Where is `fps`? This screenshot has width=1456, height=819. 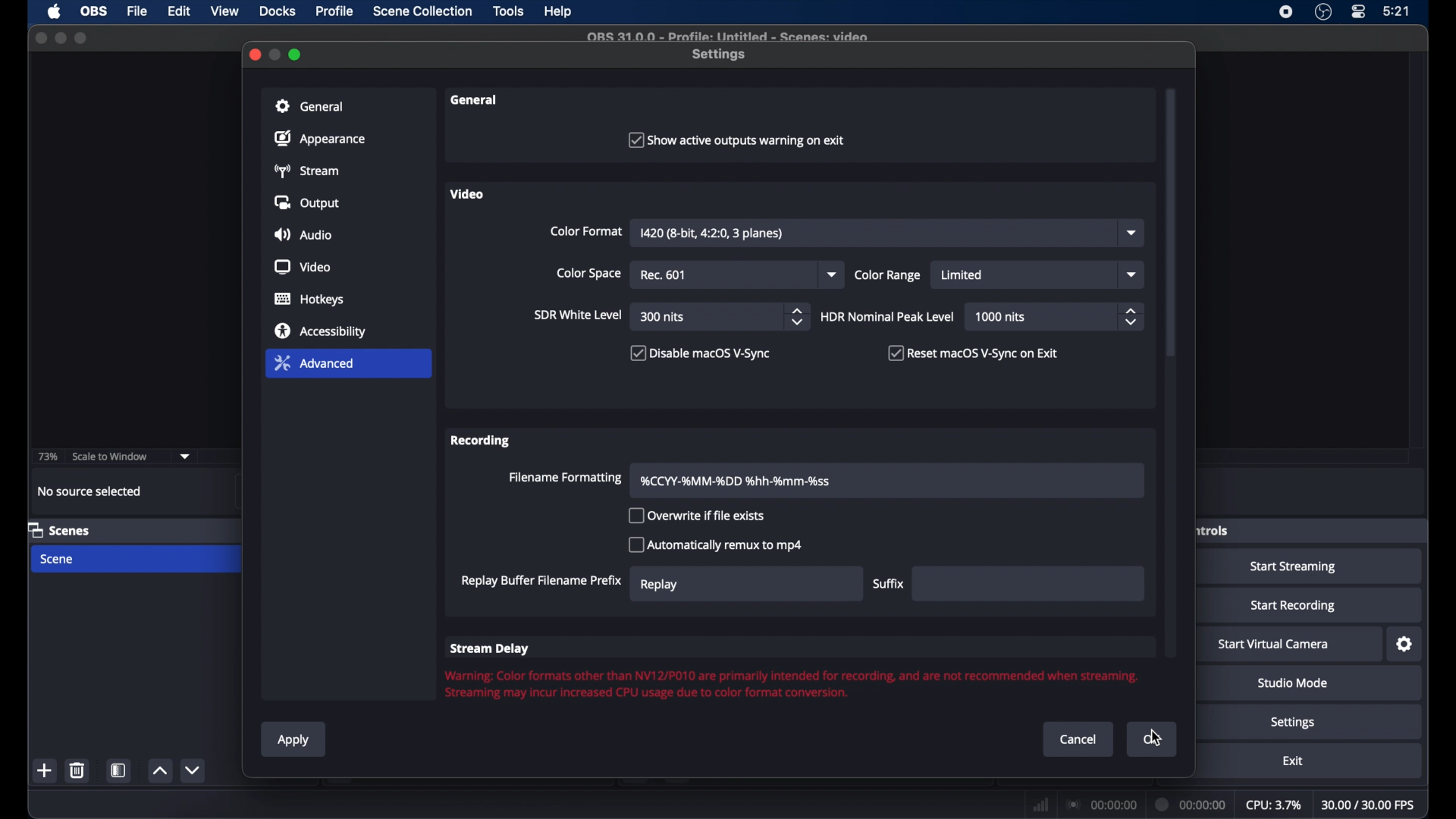
fps is located at coordinates (1368, 805).